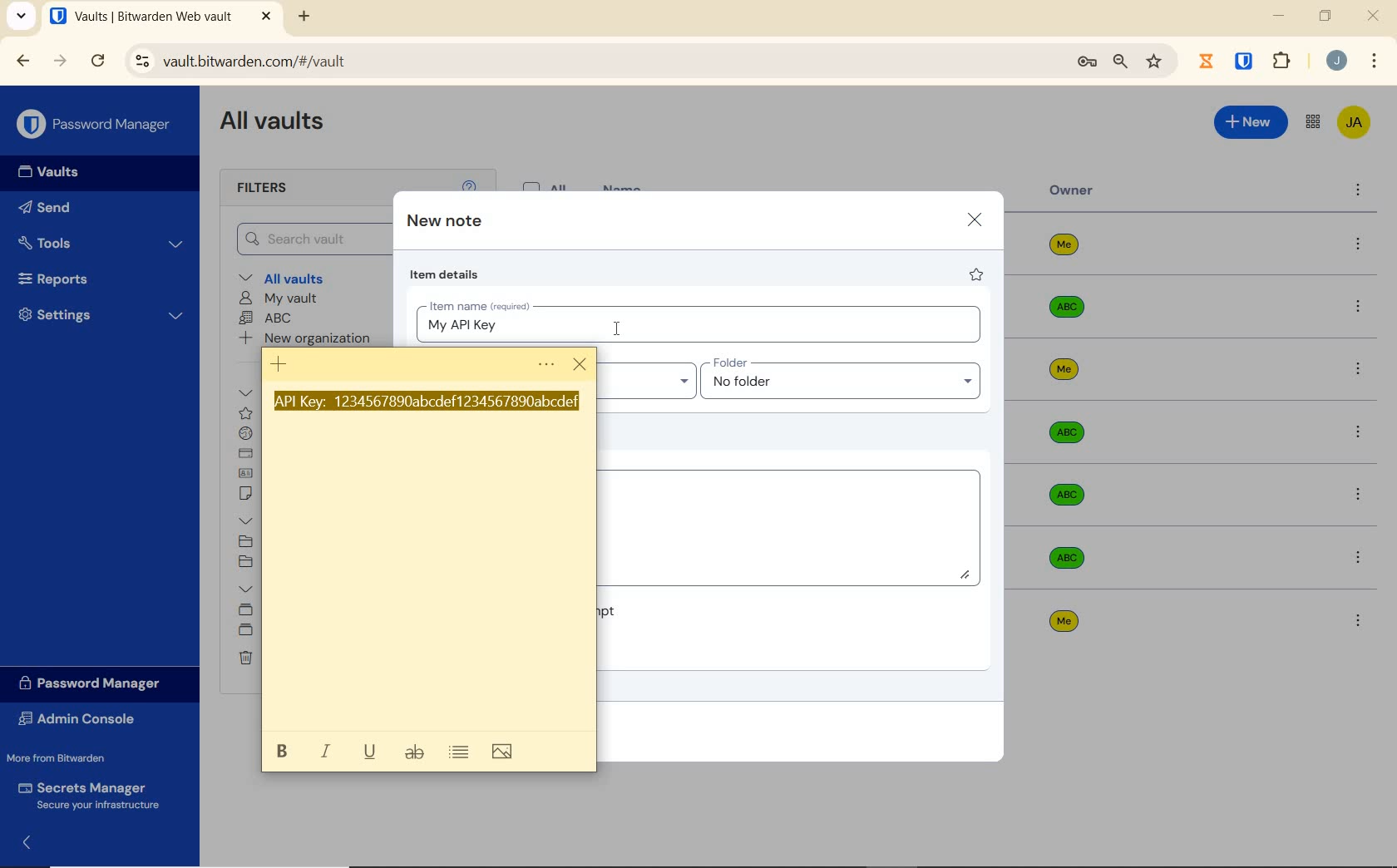 Image resolution: width=1397 pixels, height=868 pixels. I want to click on Account, so click(1337, 62).